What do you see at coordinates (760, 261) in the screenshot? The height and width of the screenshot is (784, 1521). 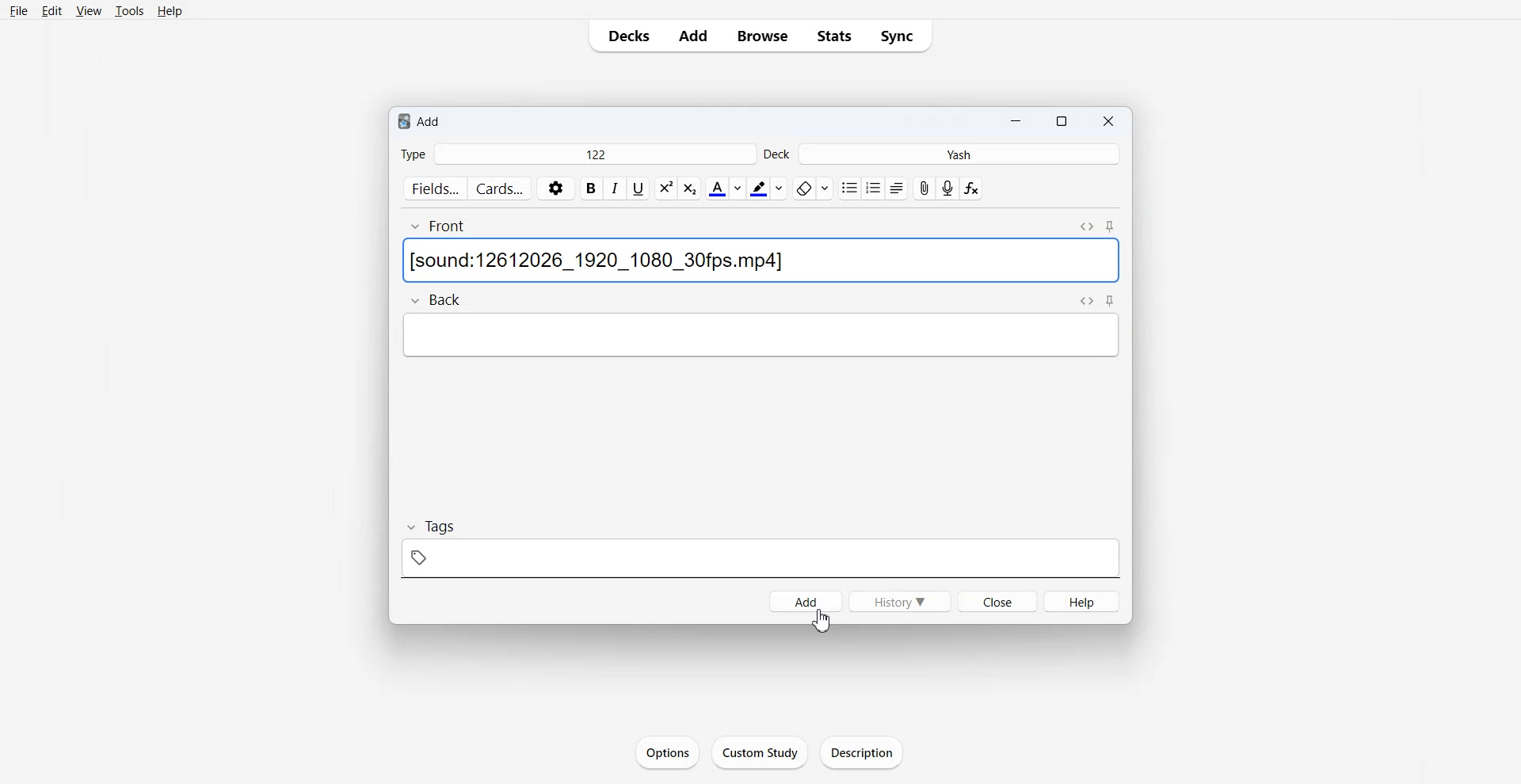 I see `typing space` at bounding box center [760, 261].